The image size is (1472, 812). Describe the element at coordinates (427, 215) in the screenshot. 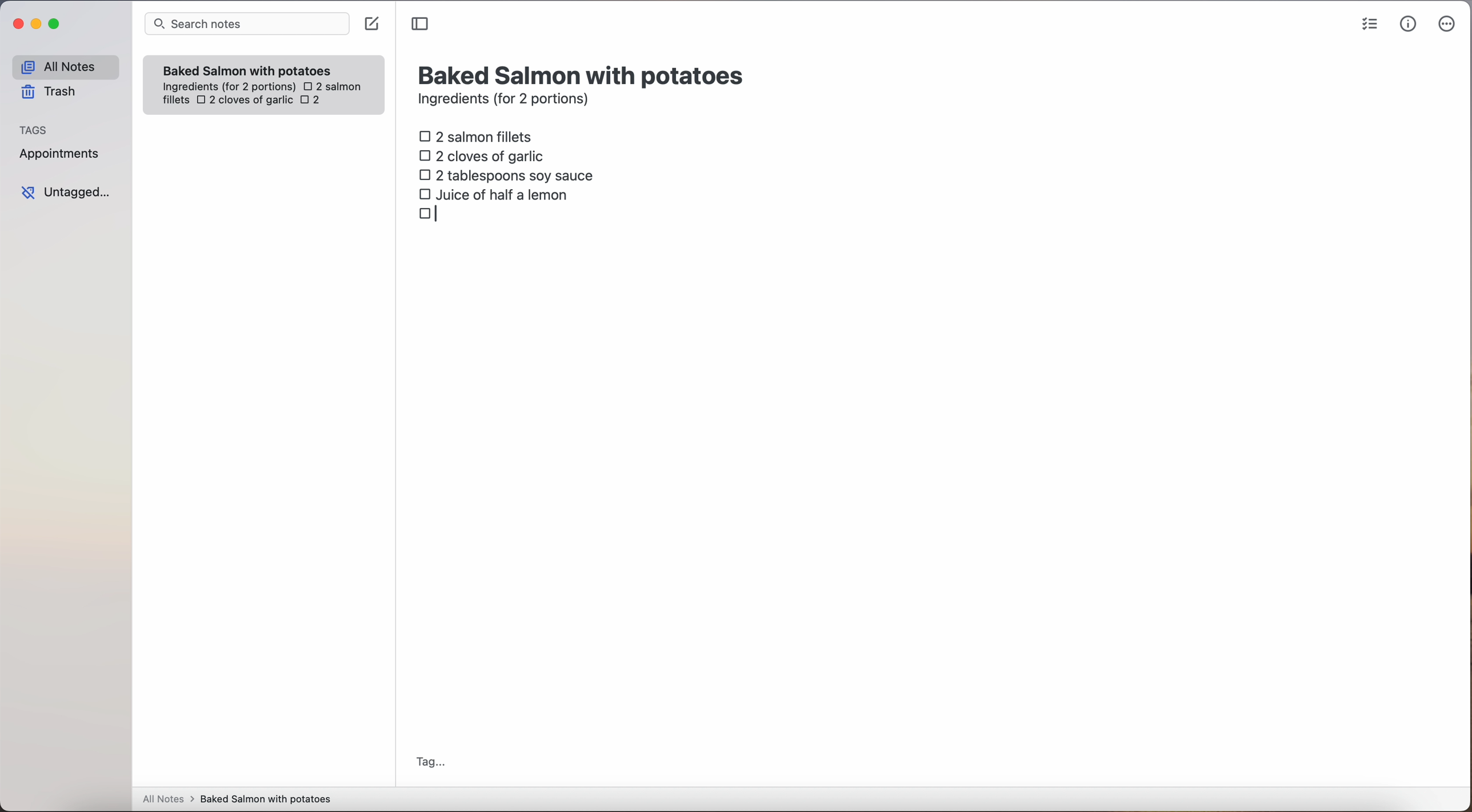

I see `checkbox` at that location.